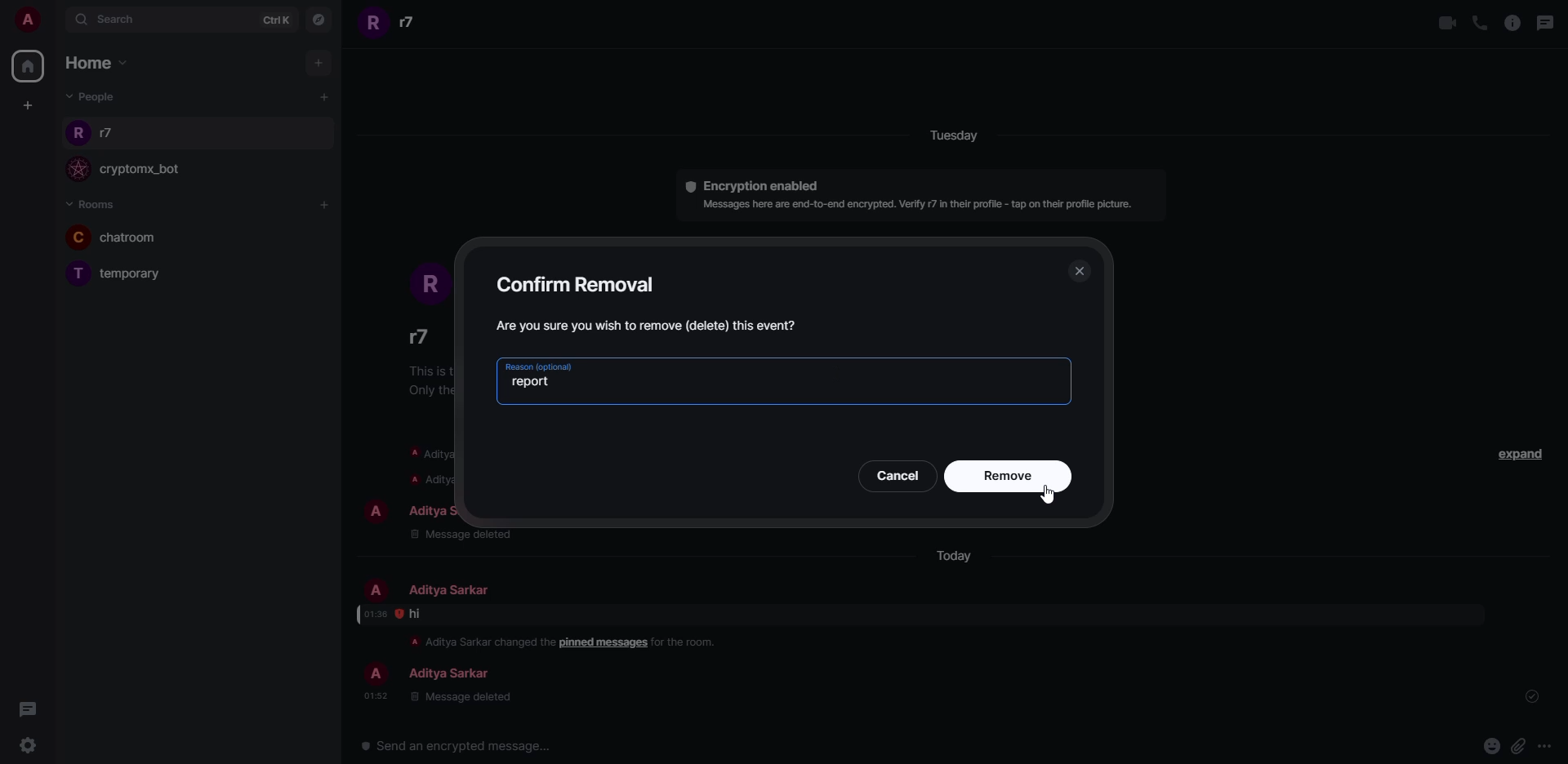 This screenshot has width=1568, height=764. What do you see at coordinates (688, 642) in the screenshot?
I see `info` at bounding box center [688, 642].